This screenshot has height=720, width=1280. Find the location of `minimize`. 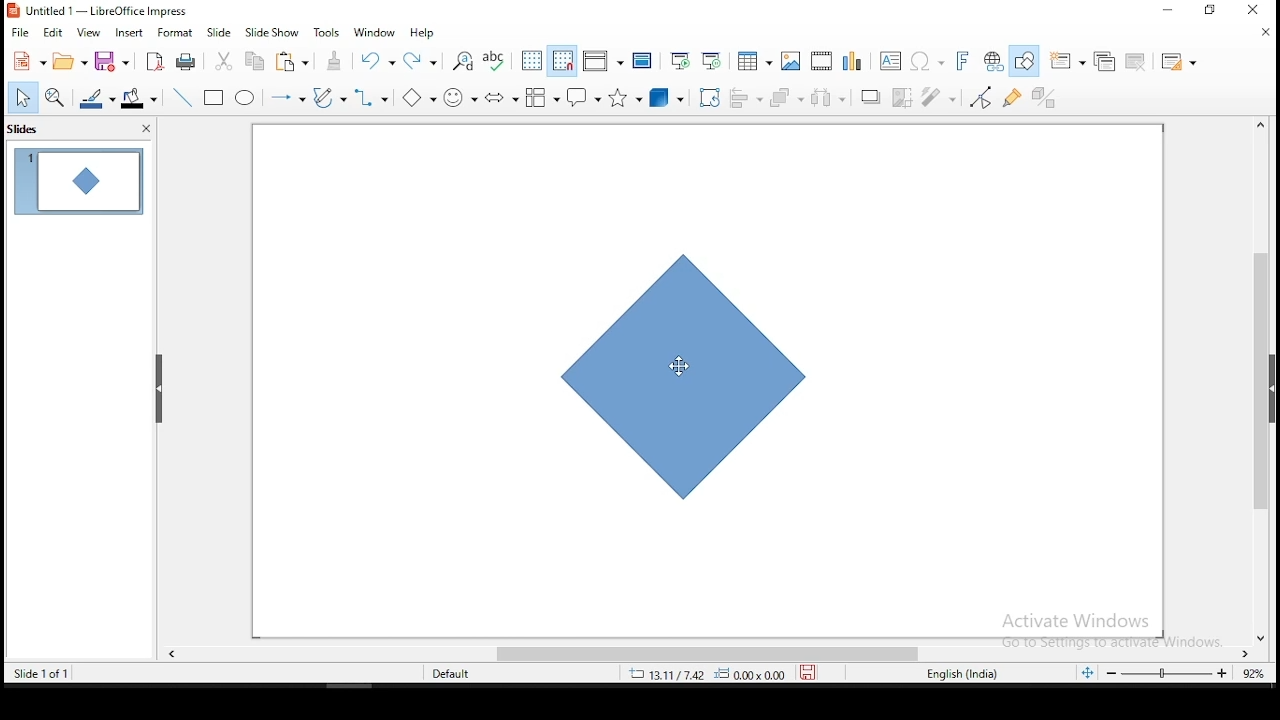

minimize is located at coordinates (1169, 11).